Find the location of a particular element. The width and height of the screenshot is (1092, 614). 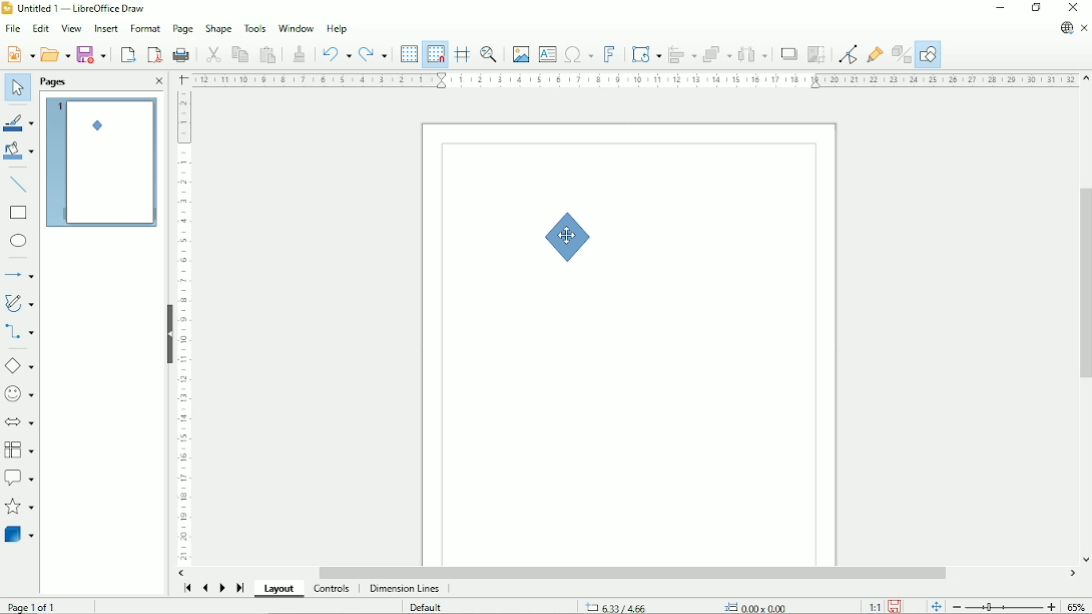

New is located at coordinates (20, 54).